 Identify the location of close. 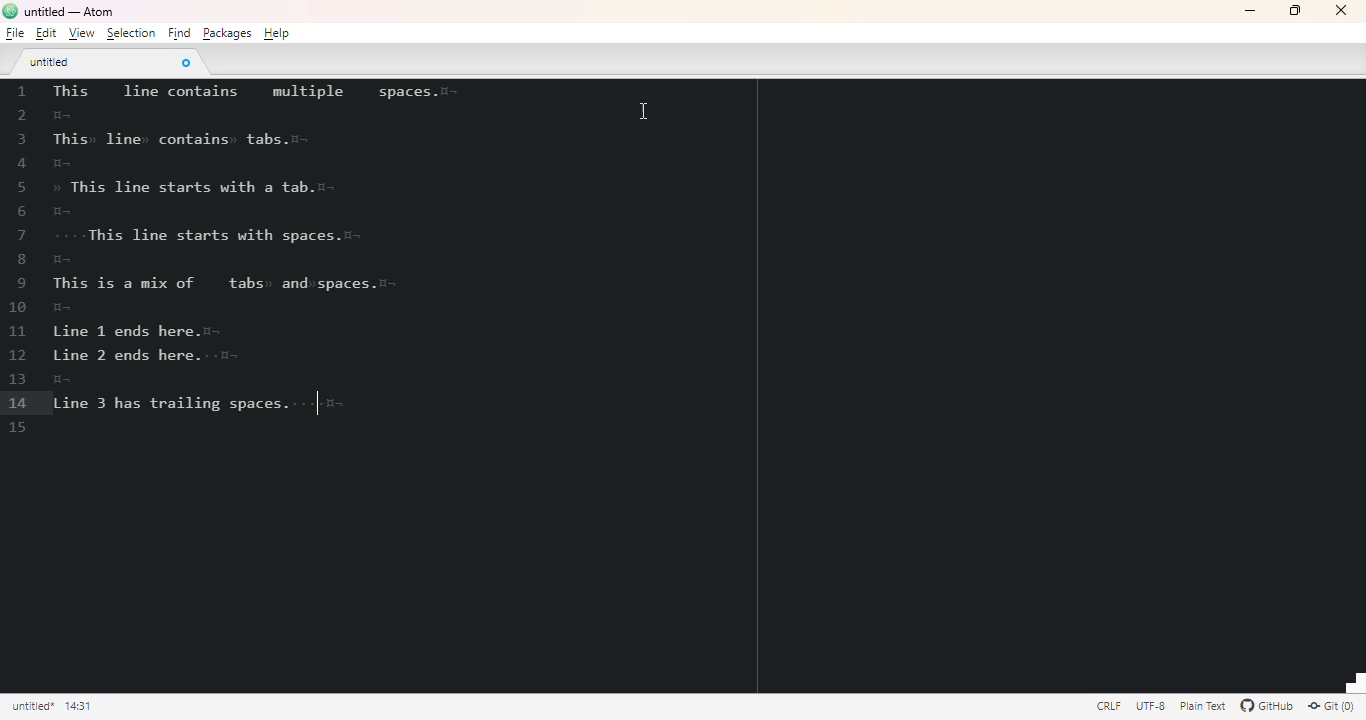
(1340, 10).